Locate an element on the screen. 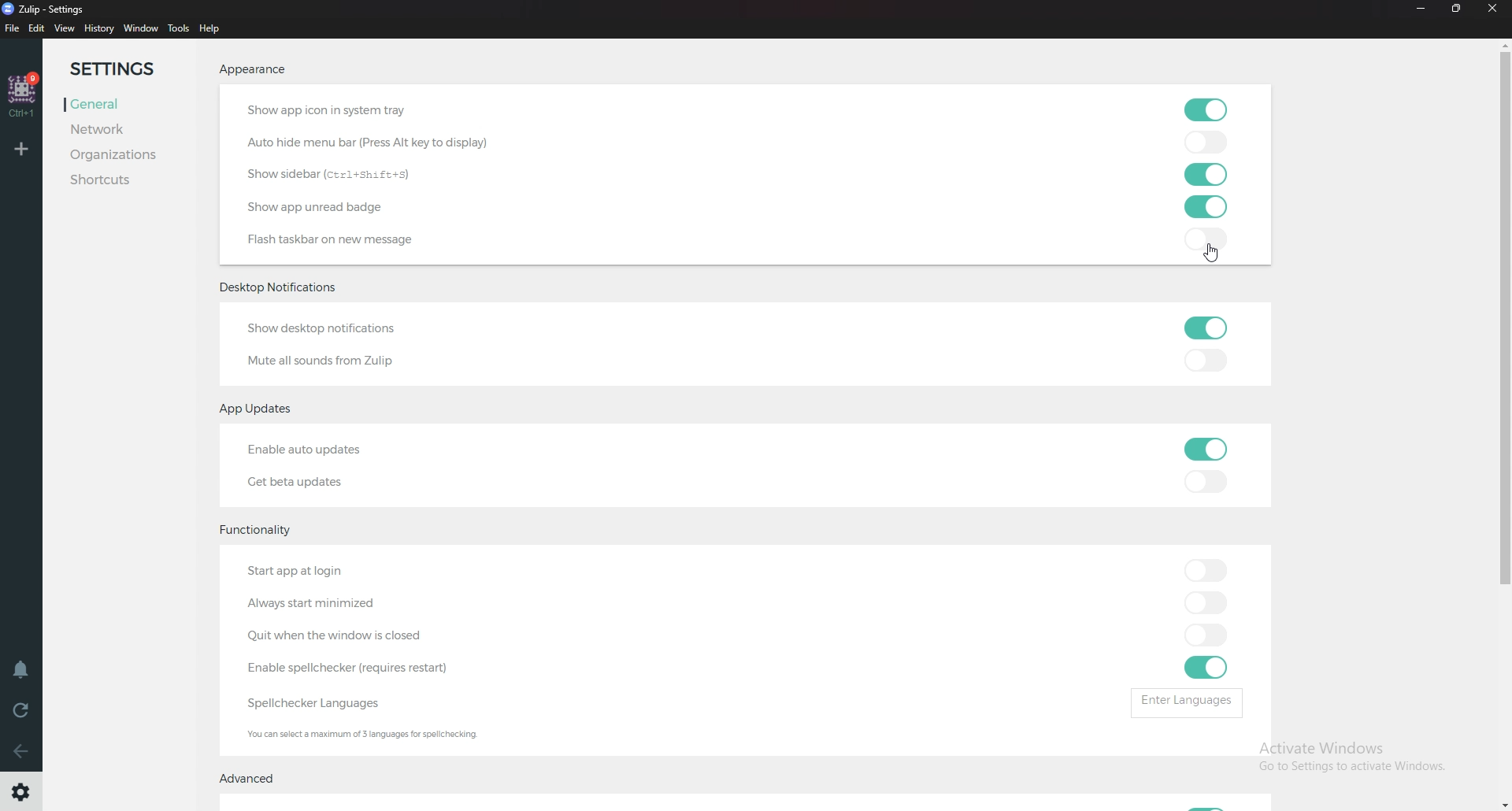  toggle is located at coordinates (1202, 237).